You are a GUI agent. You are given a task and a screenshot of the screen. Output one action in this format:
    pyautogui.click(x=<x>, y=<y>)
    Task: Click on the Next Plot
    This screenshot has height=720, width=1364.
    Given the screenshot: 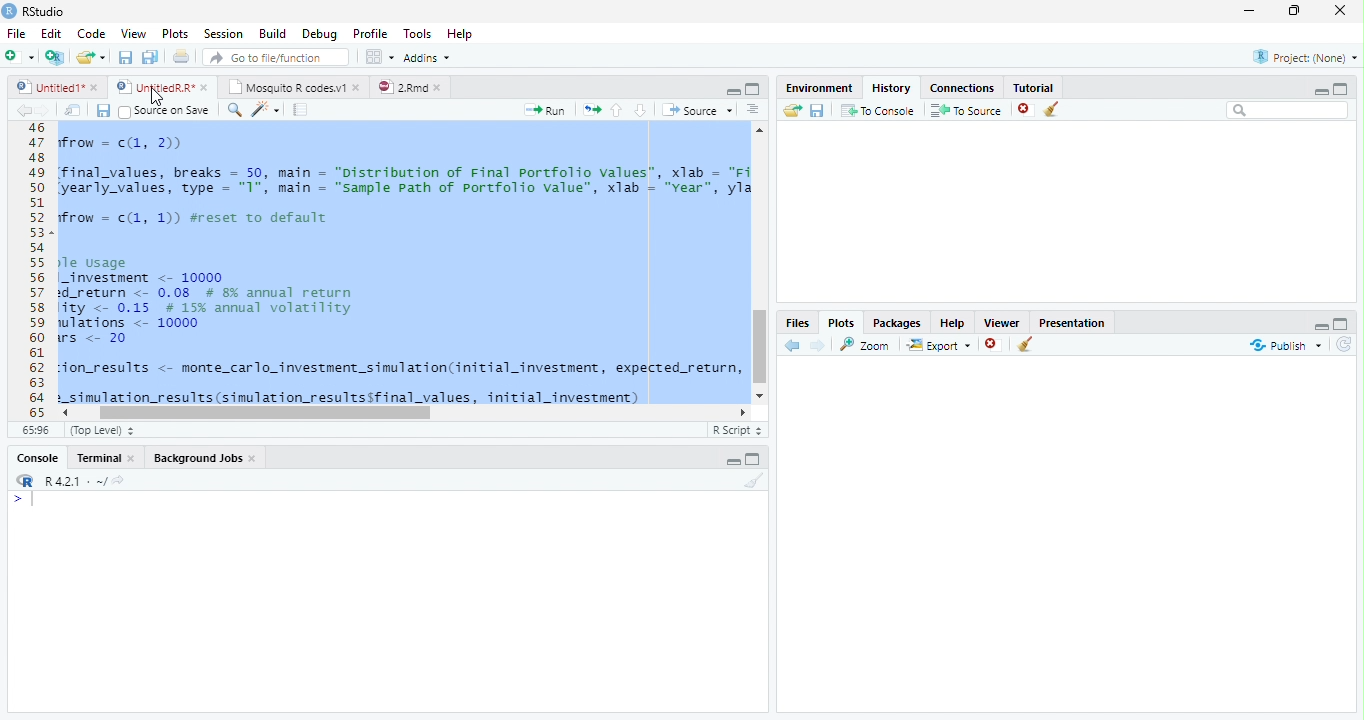 What is the action you would take?
    pyautogui.click(x=818, y=345)
    